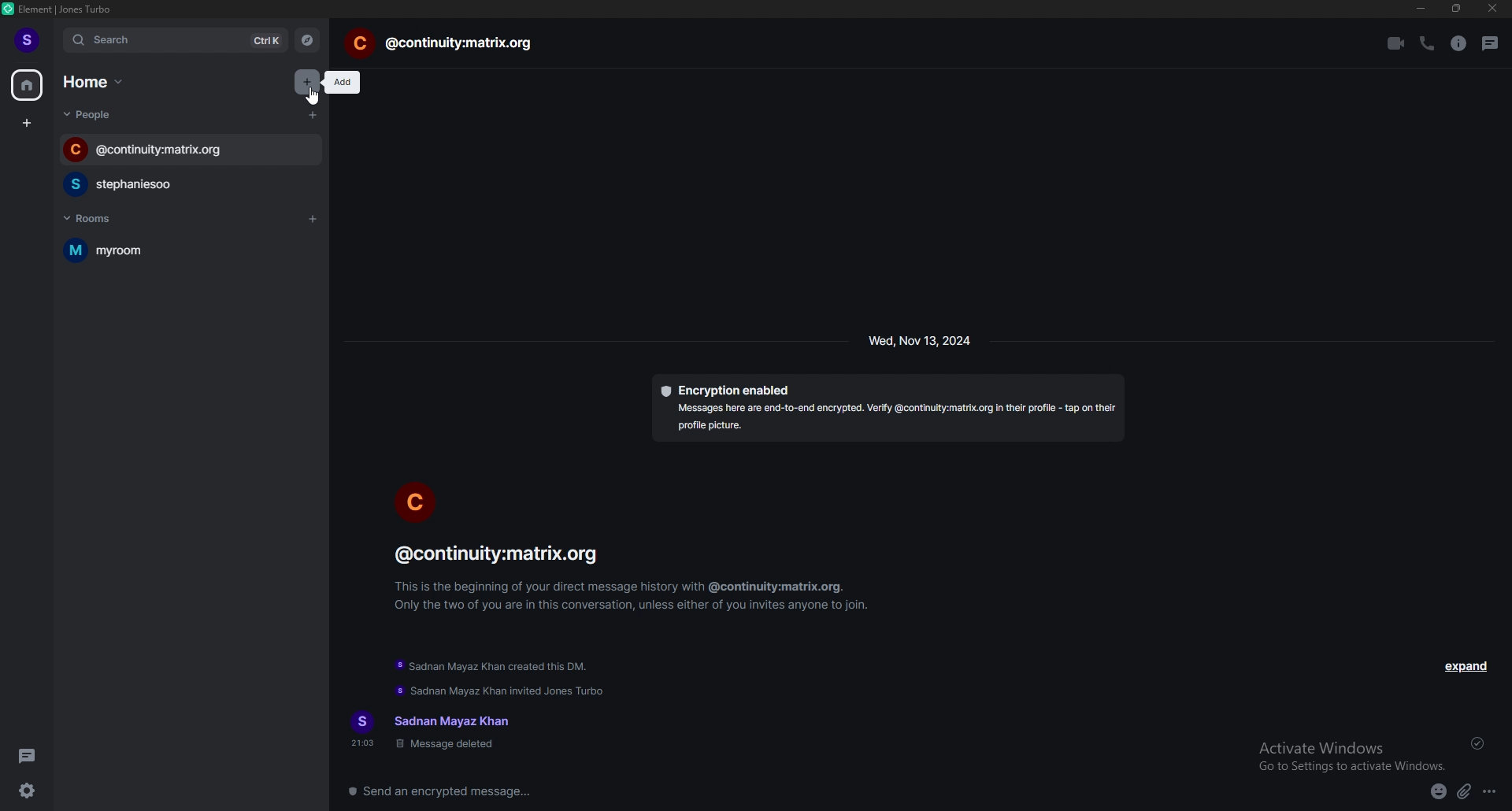 The width and height of the screenshot is (1512, 811). I want to click on info, so click(636, 576).